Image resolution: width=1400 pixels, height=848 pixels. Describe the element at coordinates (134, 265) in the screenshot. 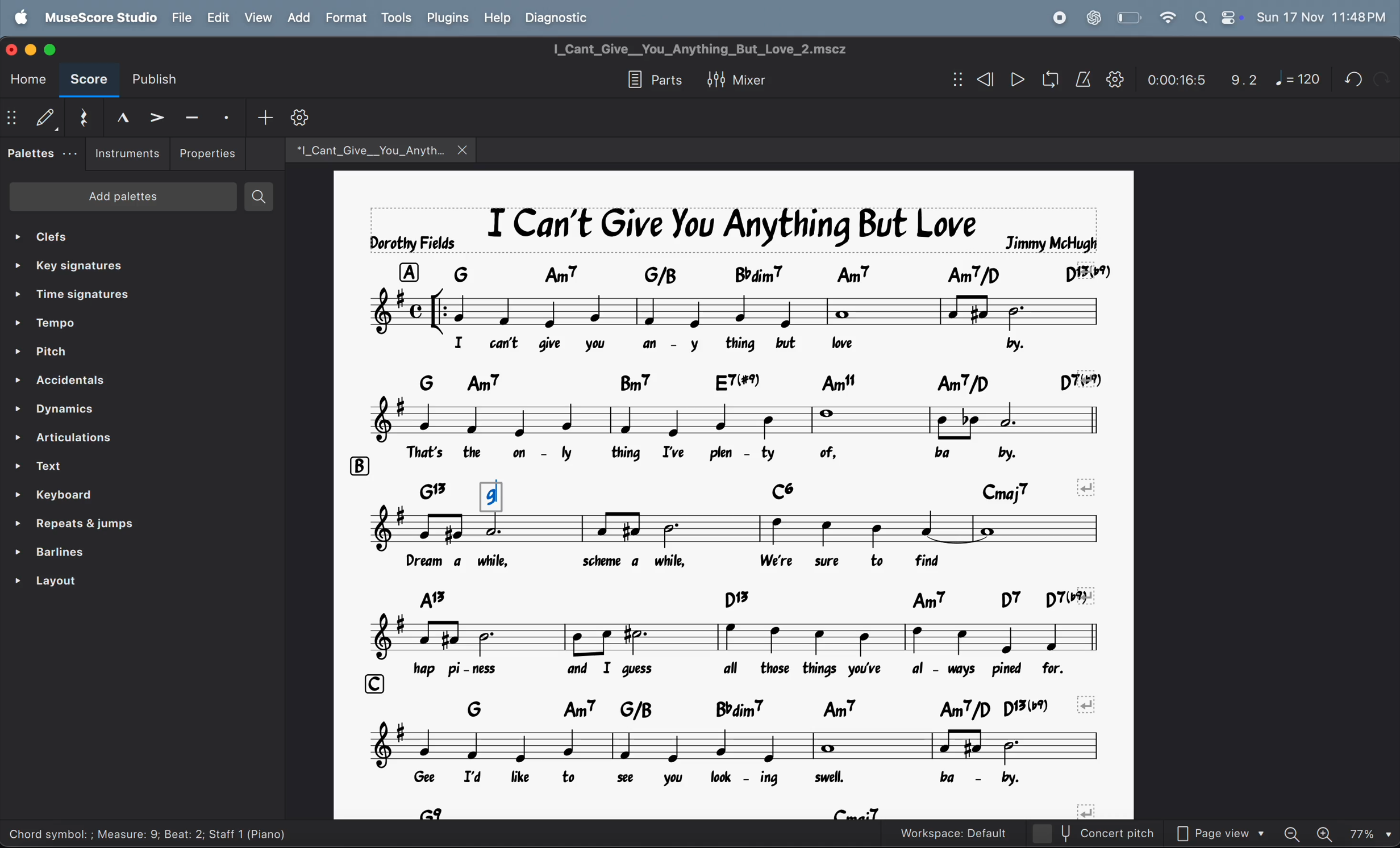

I see `key signature` at that location.